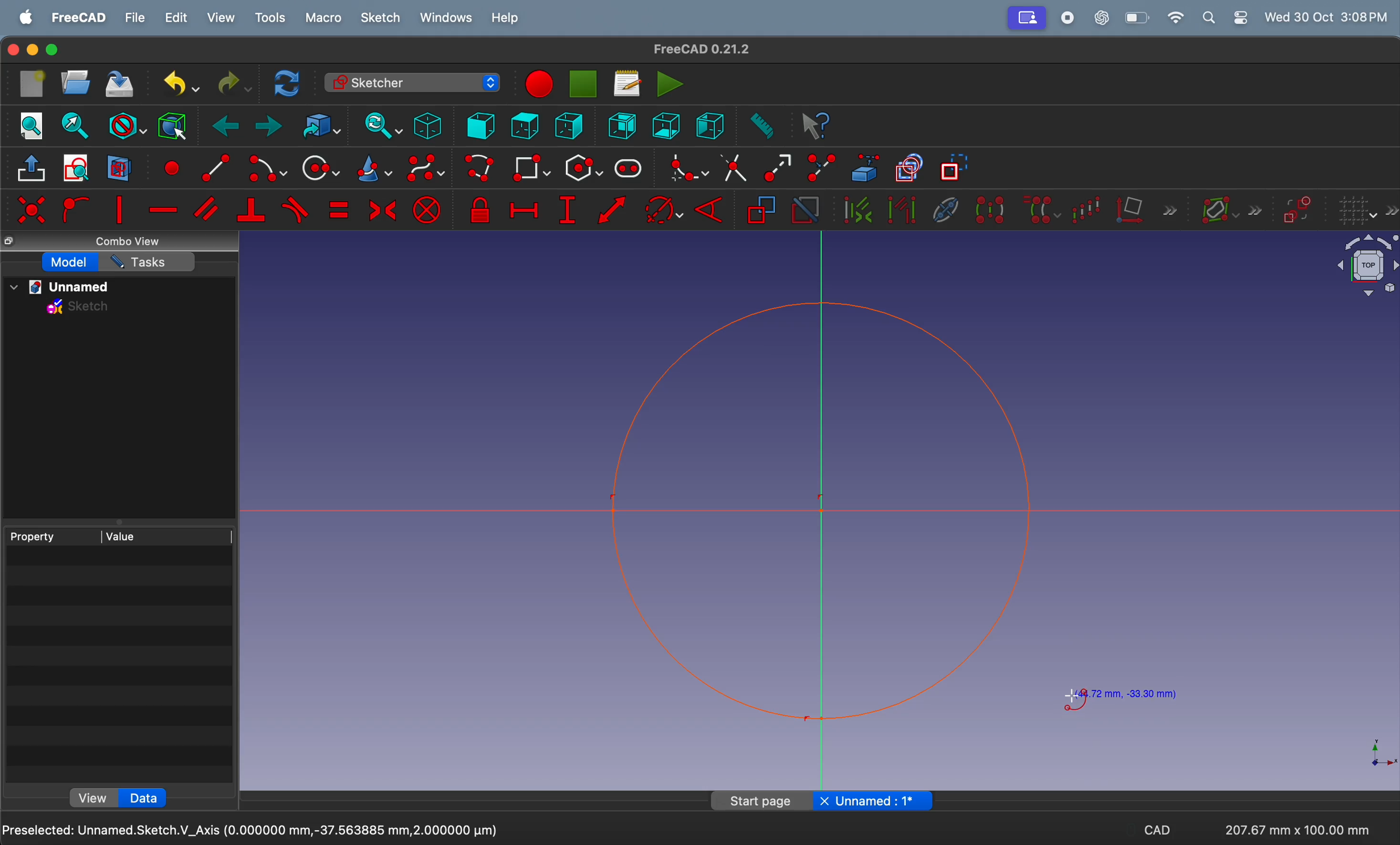 The image size is (1400, 845). What do you see at coordinates (27, 18) in the screenshot?
I see `apple menu` at bounding box center [27, 18].